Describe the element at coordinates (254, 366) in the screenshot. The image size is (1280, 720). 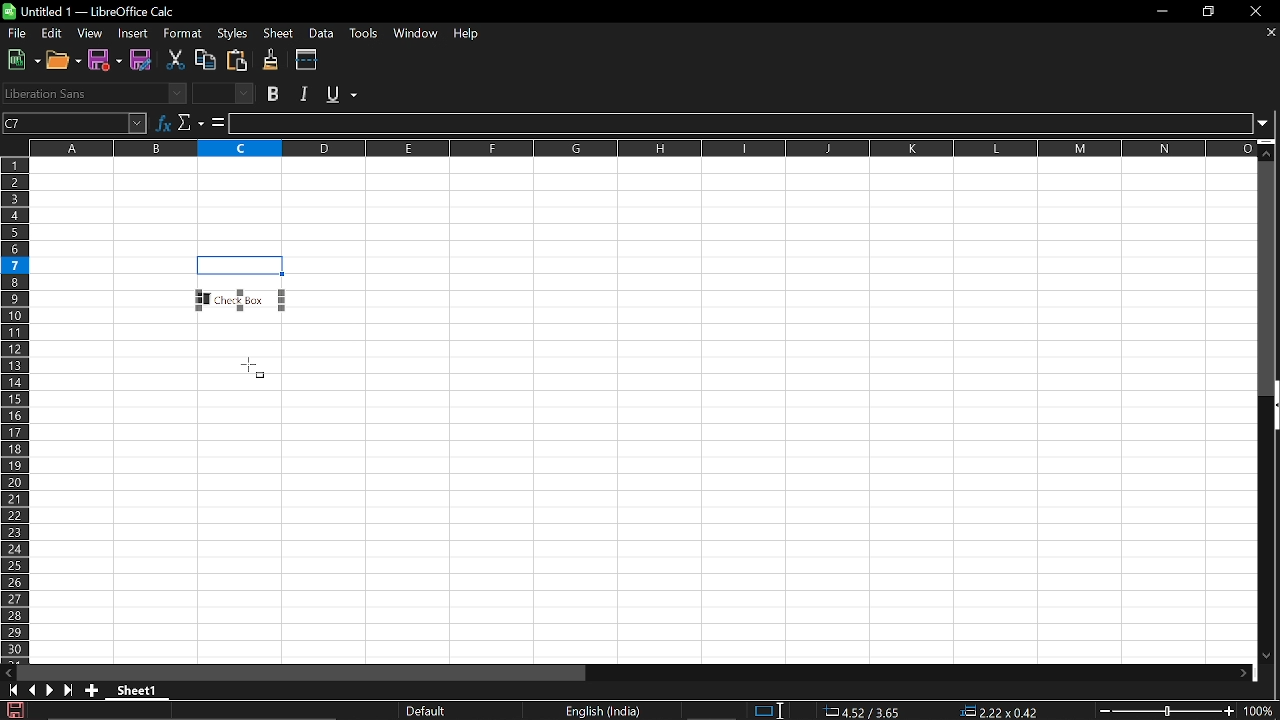
I see `Cursor` at that location.